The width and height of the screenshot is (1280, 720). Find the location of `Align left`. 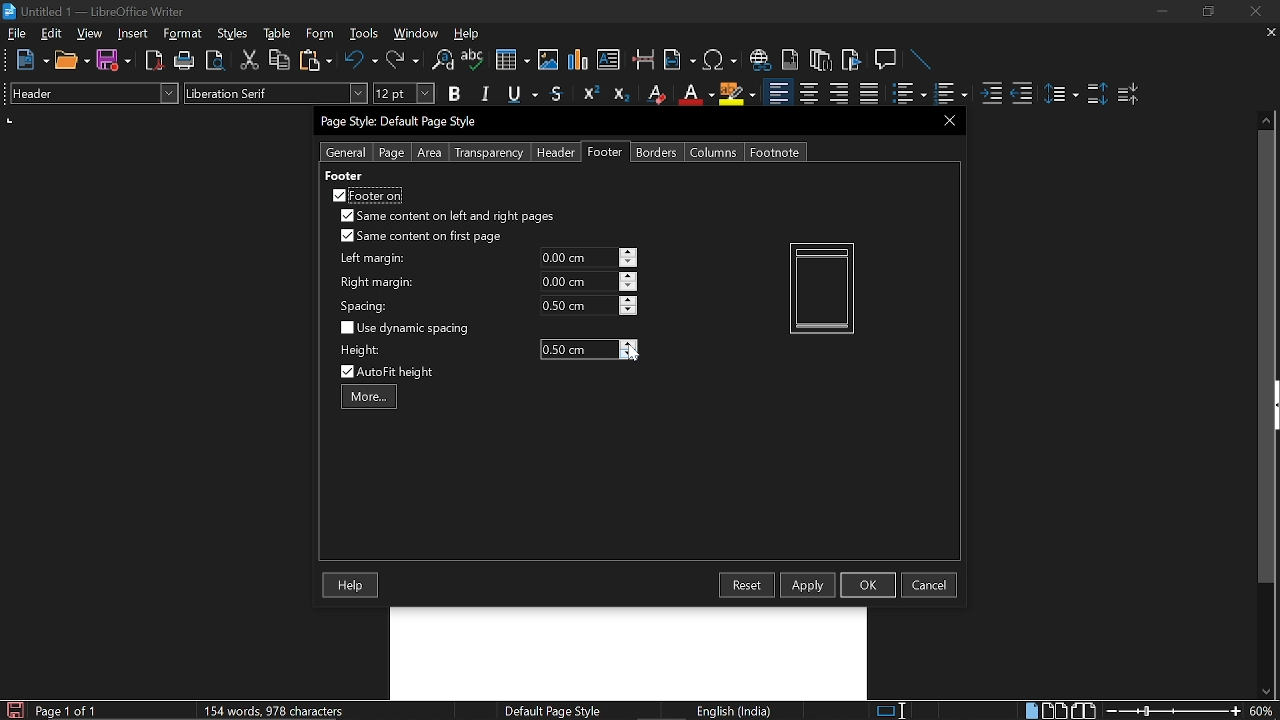

Align left is located at coordinates (778, 94).